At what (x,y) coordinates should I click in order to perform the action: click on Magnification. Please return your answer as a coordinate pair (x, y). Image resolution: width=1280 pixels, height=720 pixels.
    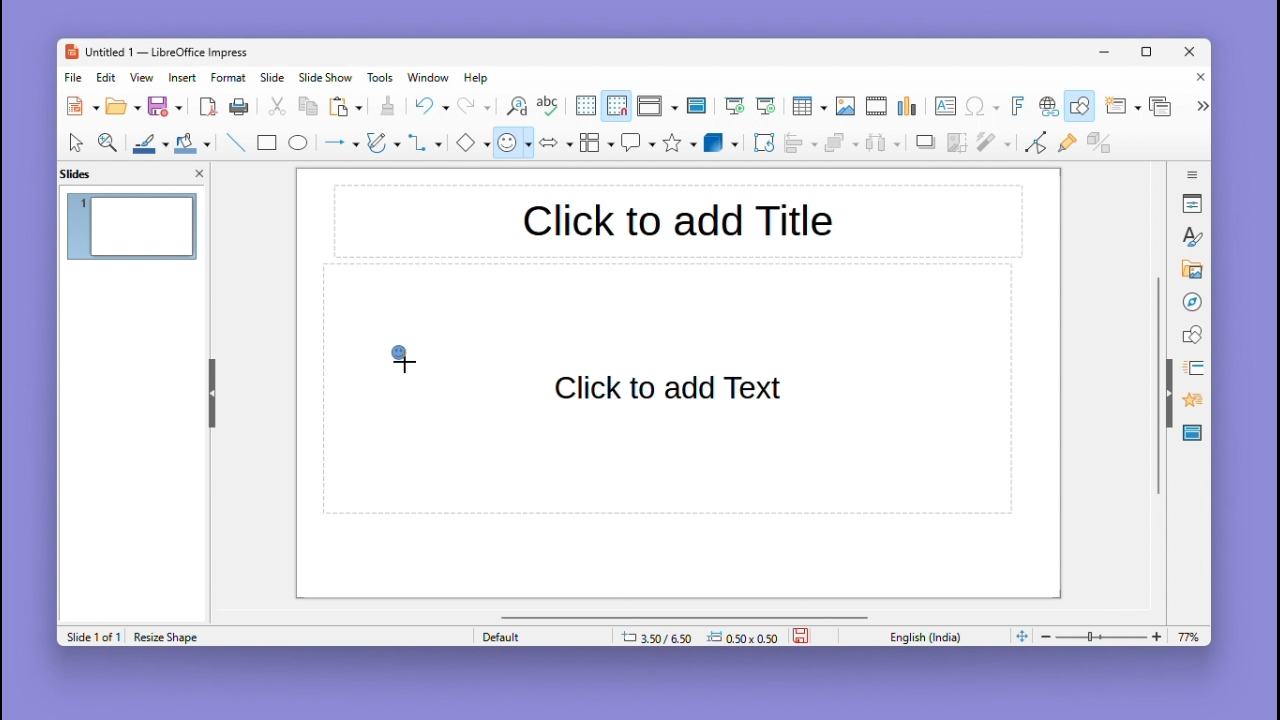
    Looking at the image, I should click on (109, 141).